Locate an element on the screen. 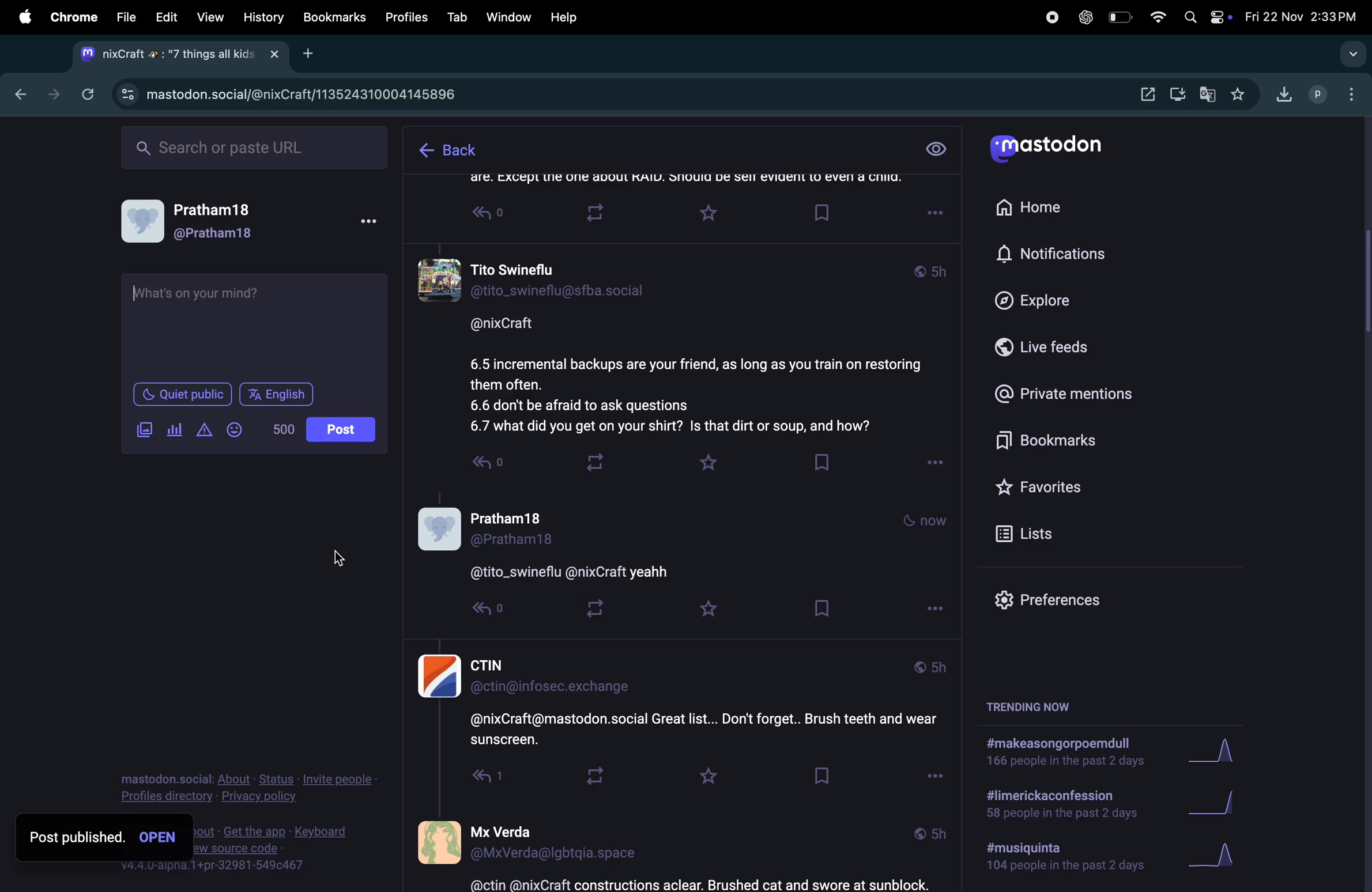 Image resolution: width=1372 pixels, height=892 pixels. Bookmark is located at coordinates (820, 605).